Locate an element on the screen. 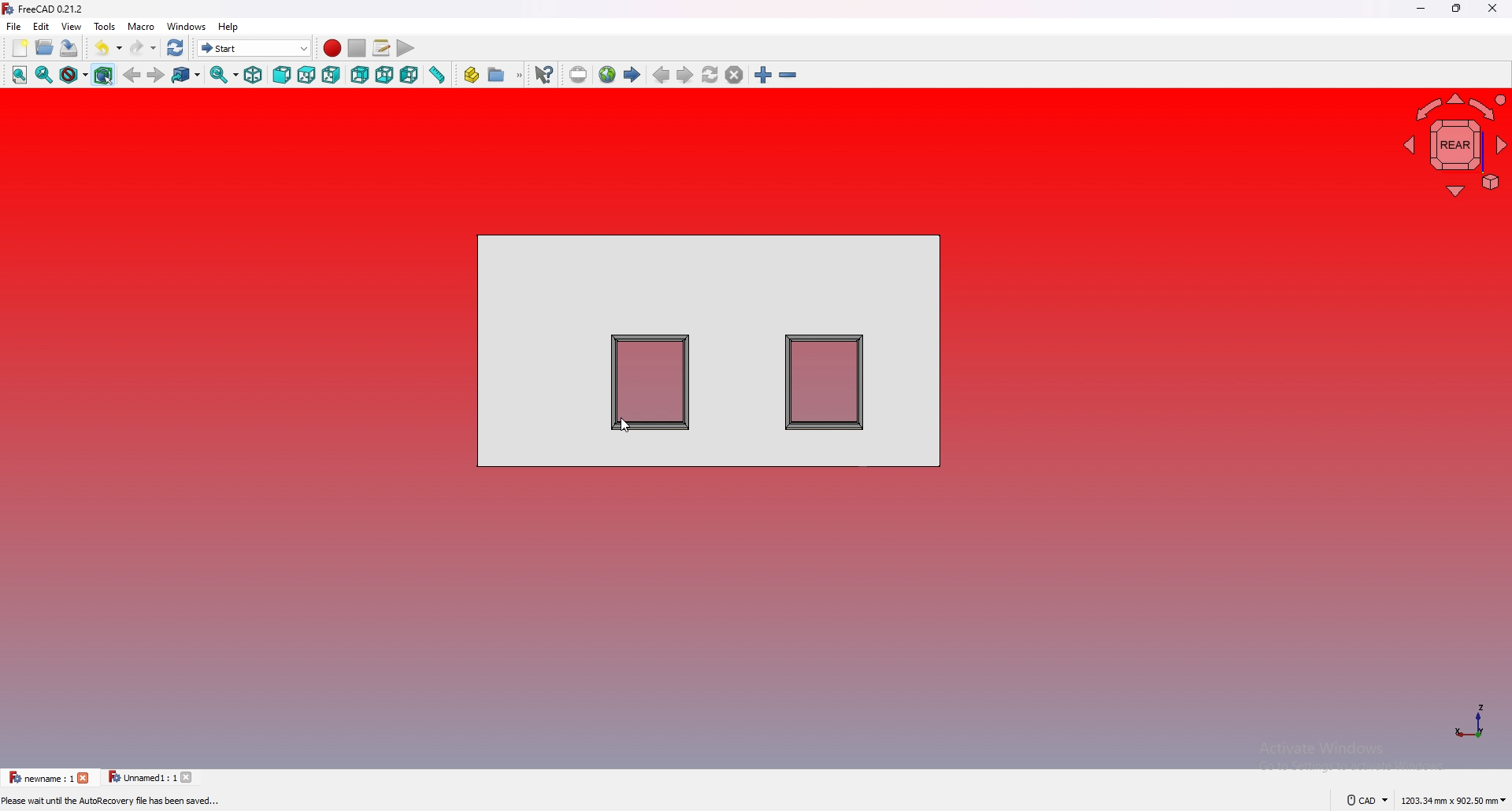 The height and width of the screenshot is (811, 1512). minimize is located at coordinates (1422, 8).